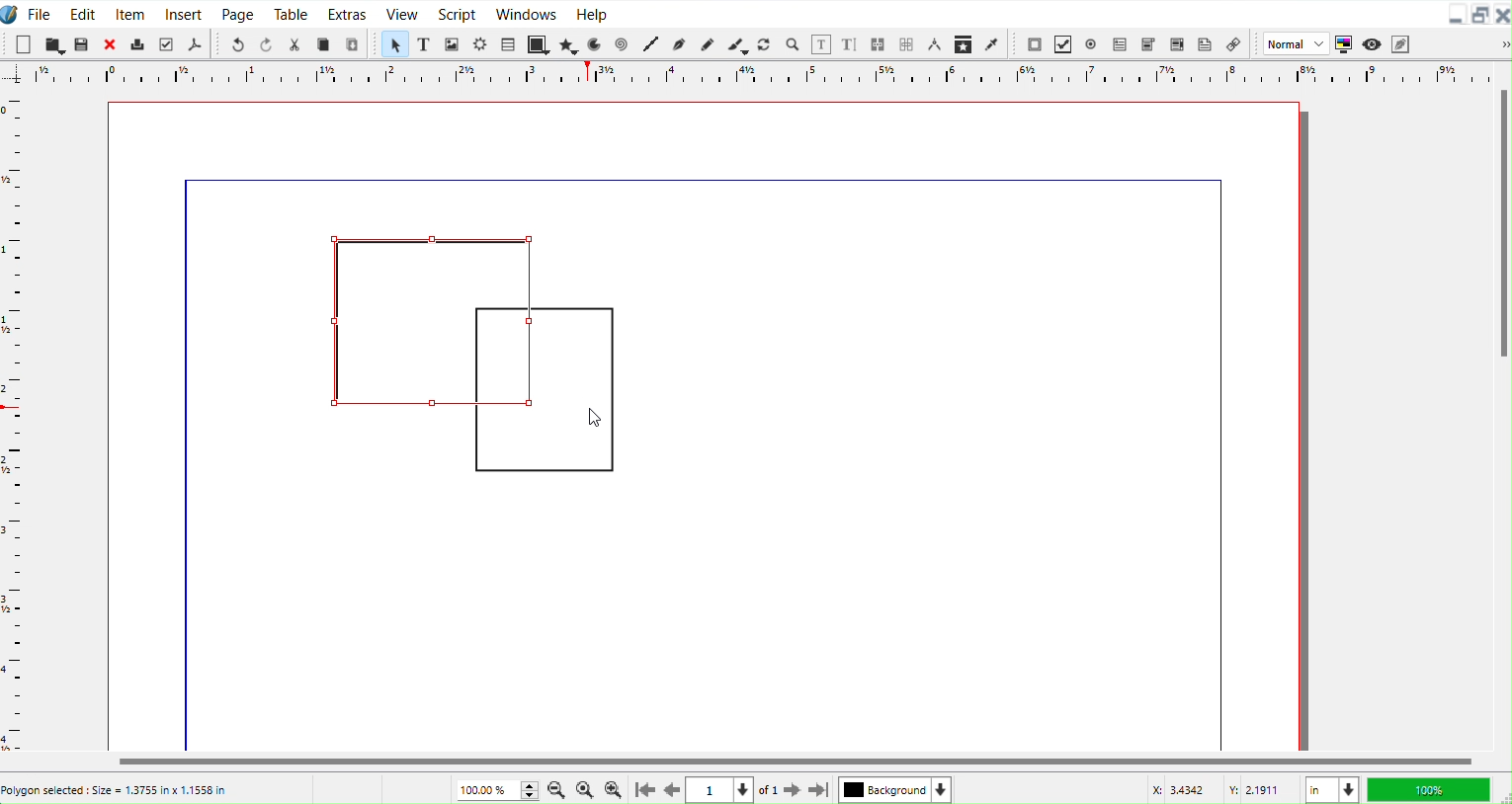 This screenshot has height=804, width=1512. I want to click on Measurement in Inches , so click(1332, 789).